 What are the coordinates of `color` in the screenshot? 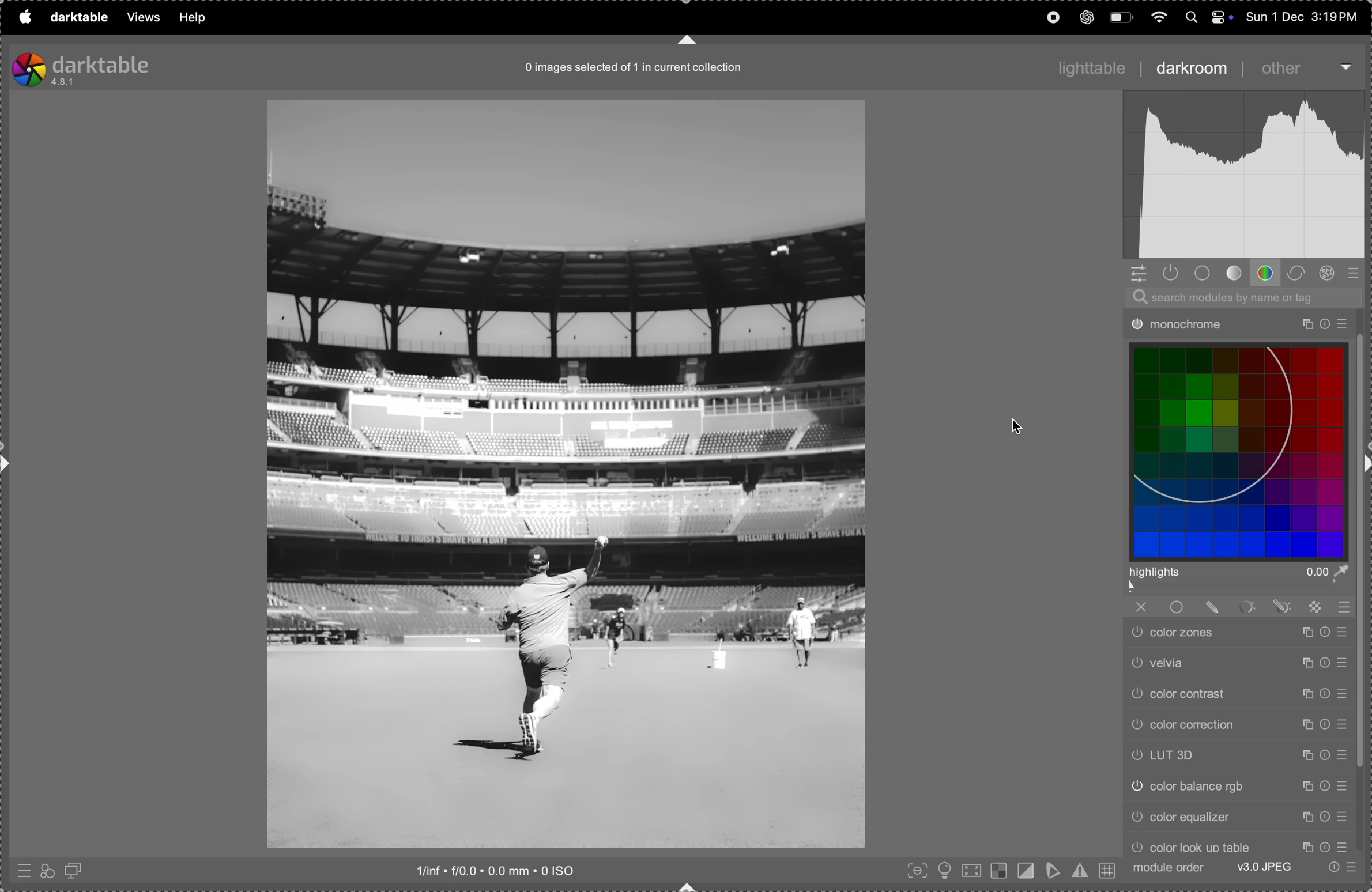 It's located at (1268, 273).